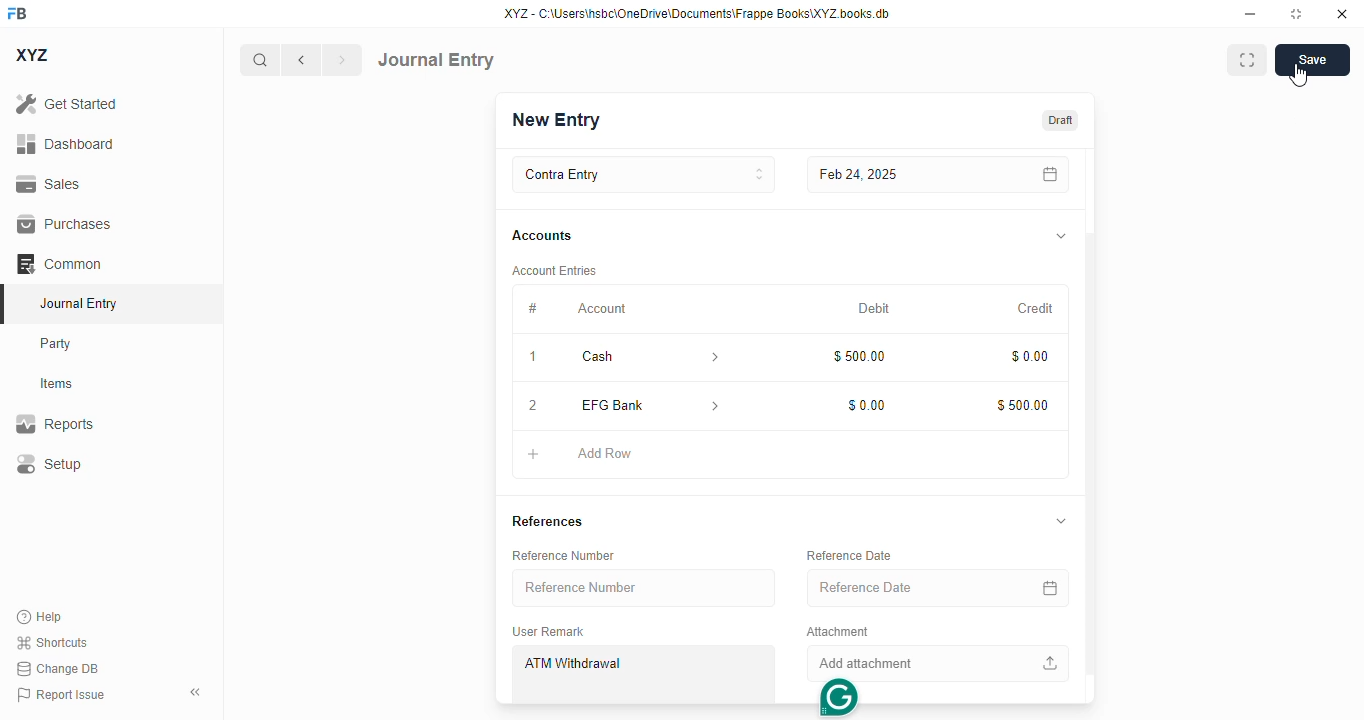 The height and width of the screenshot is (720, 1364). What do you see at coordinates (1062, 522) in the screenshot?
I see `toggle expand/collapse` at bounding box center [1062, 522].